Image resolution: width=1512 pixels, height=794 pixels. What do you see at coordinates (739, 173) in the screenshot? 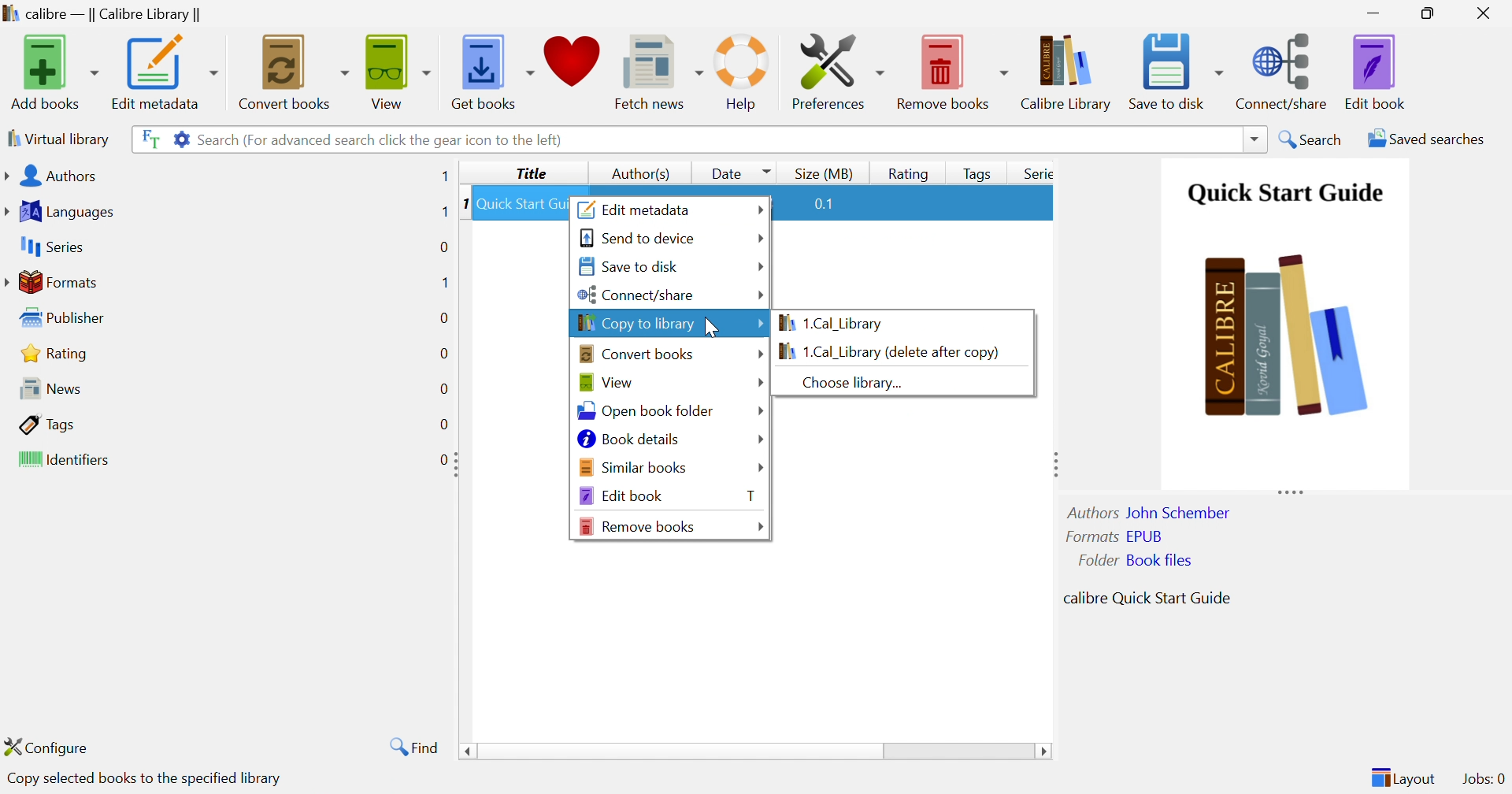
I see `Date` at bounding box center [739, 173].